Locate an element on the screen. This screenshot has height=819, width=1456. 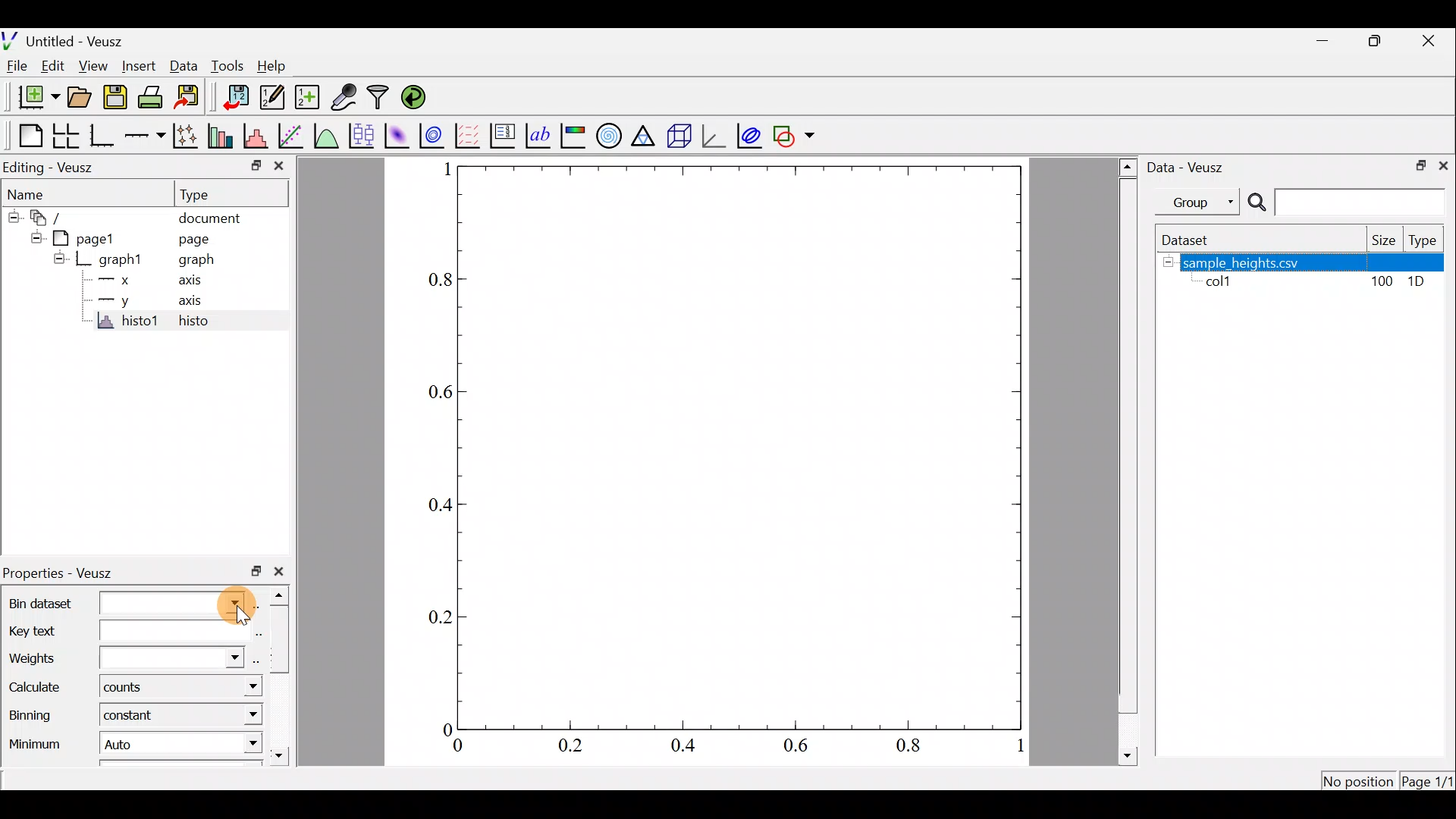
hide is located at coordinates (1168, 262).